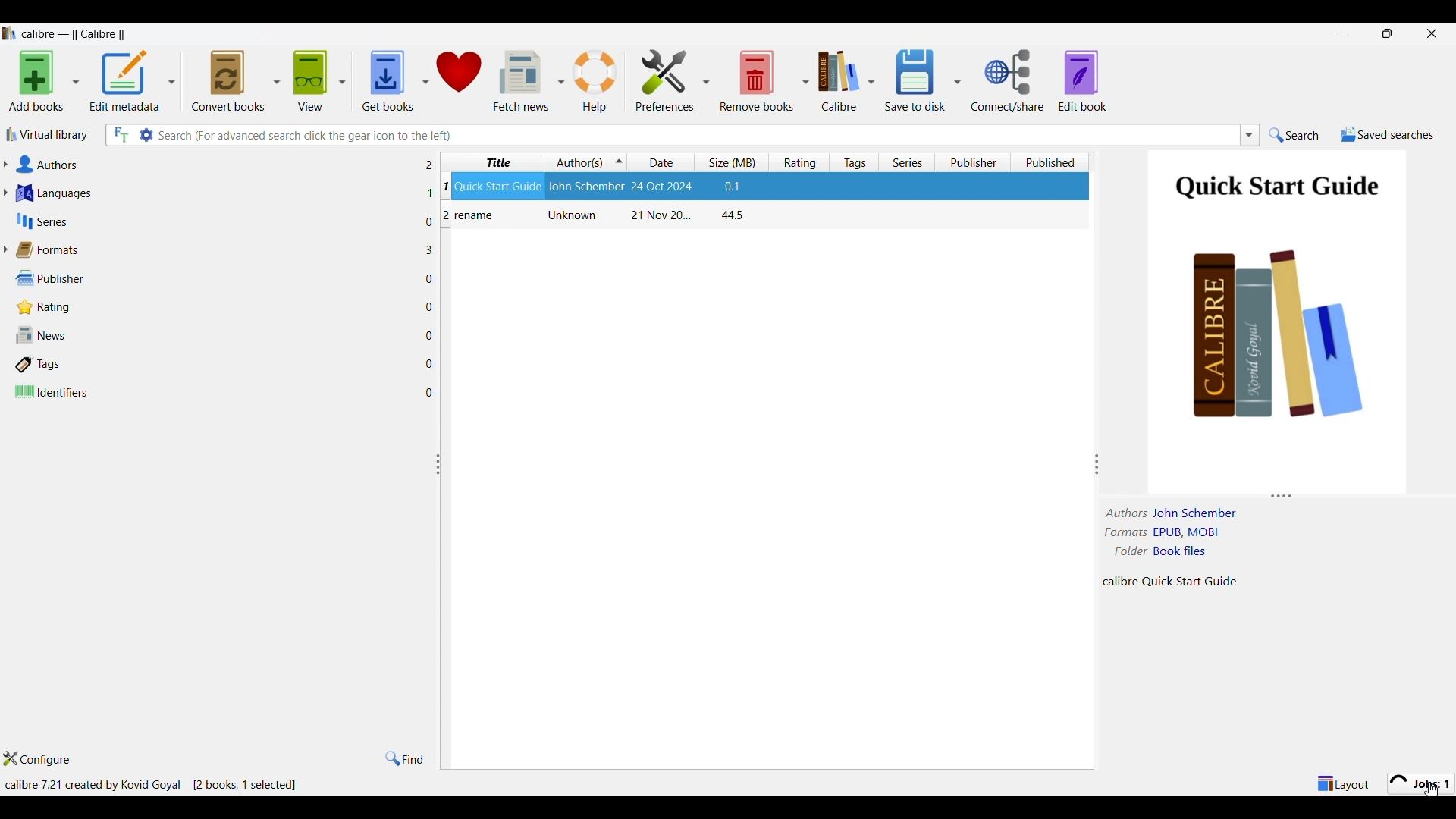 The image size is (1456, 819). Describe the element at coordinates (705, 80) in the screenshot. I see `Preference column` at that location.